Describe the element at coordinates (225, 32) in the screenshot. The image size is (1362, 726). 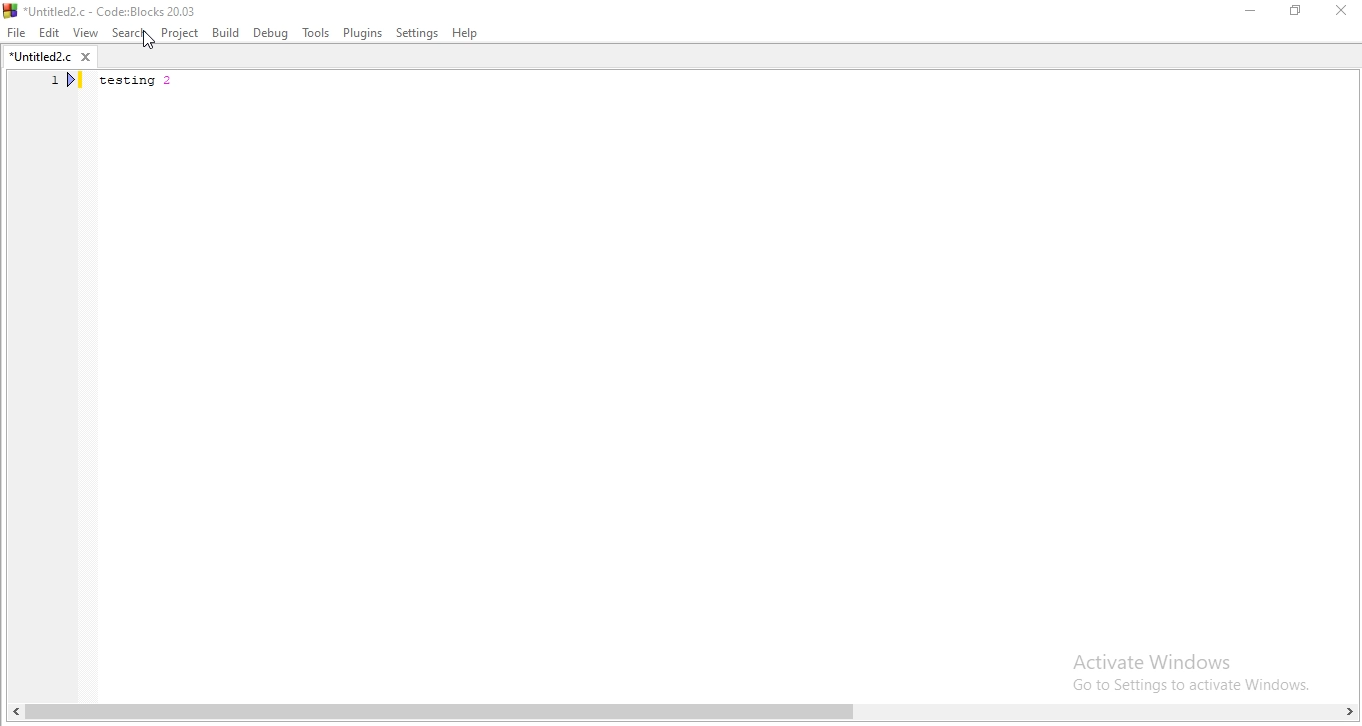
I see `Build ` at that location.